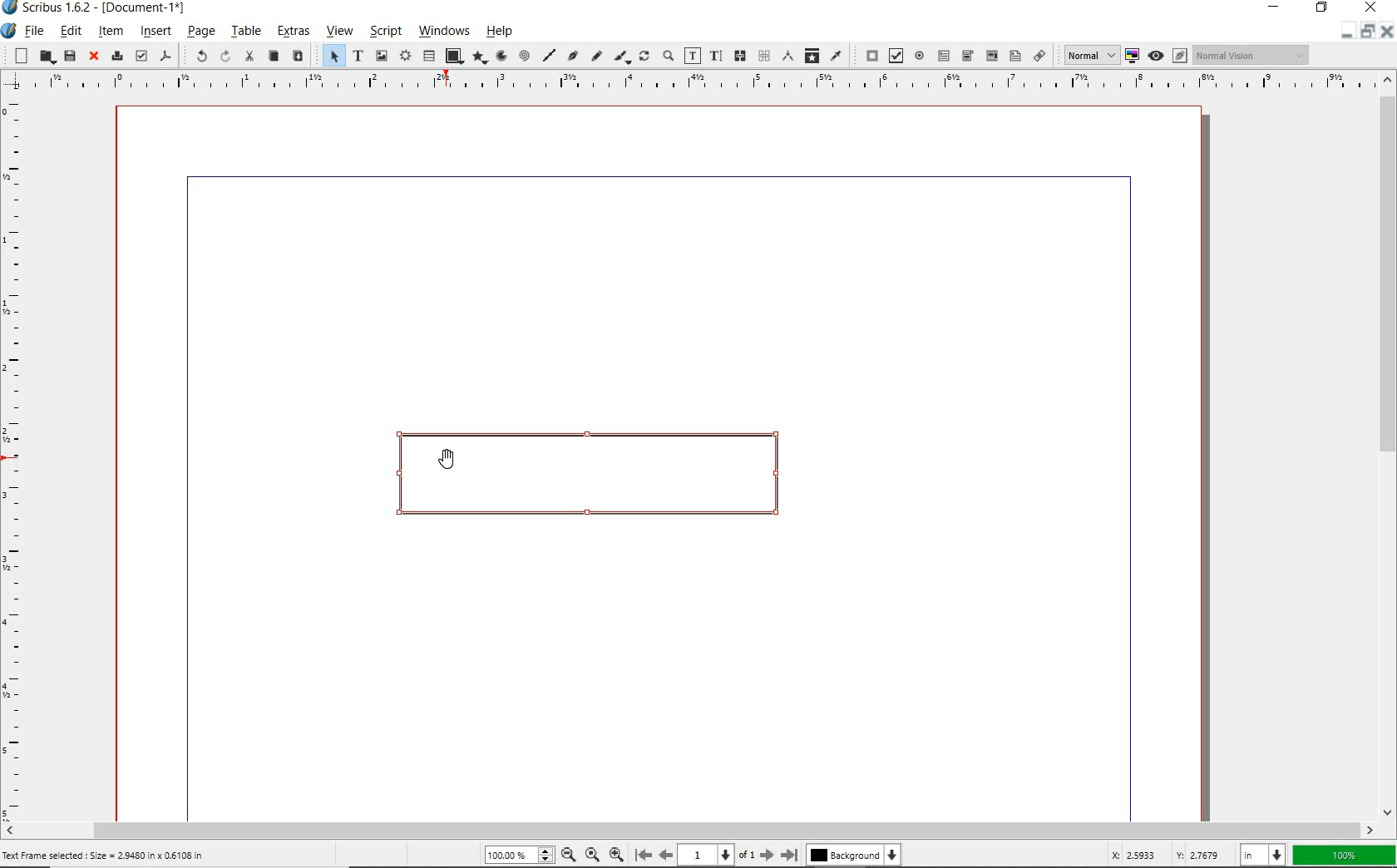  Describe the element at coordinates (35, 32) in the screenshot. I see `file` at that location.